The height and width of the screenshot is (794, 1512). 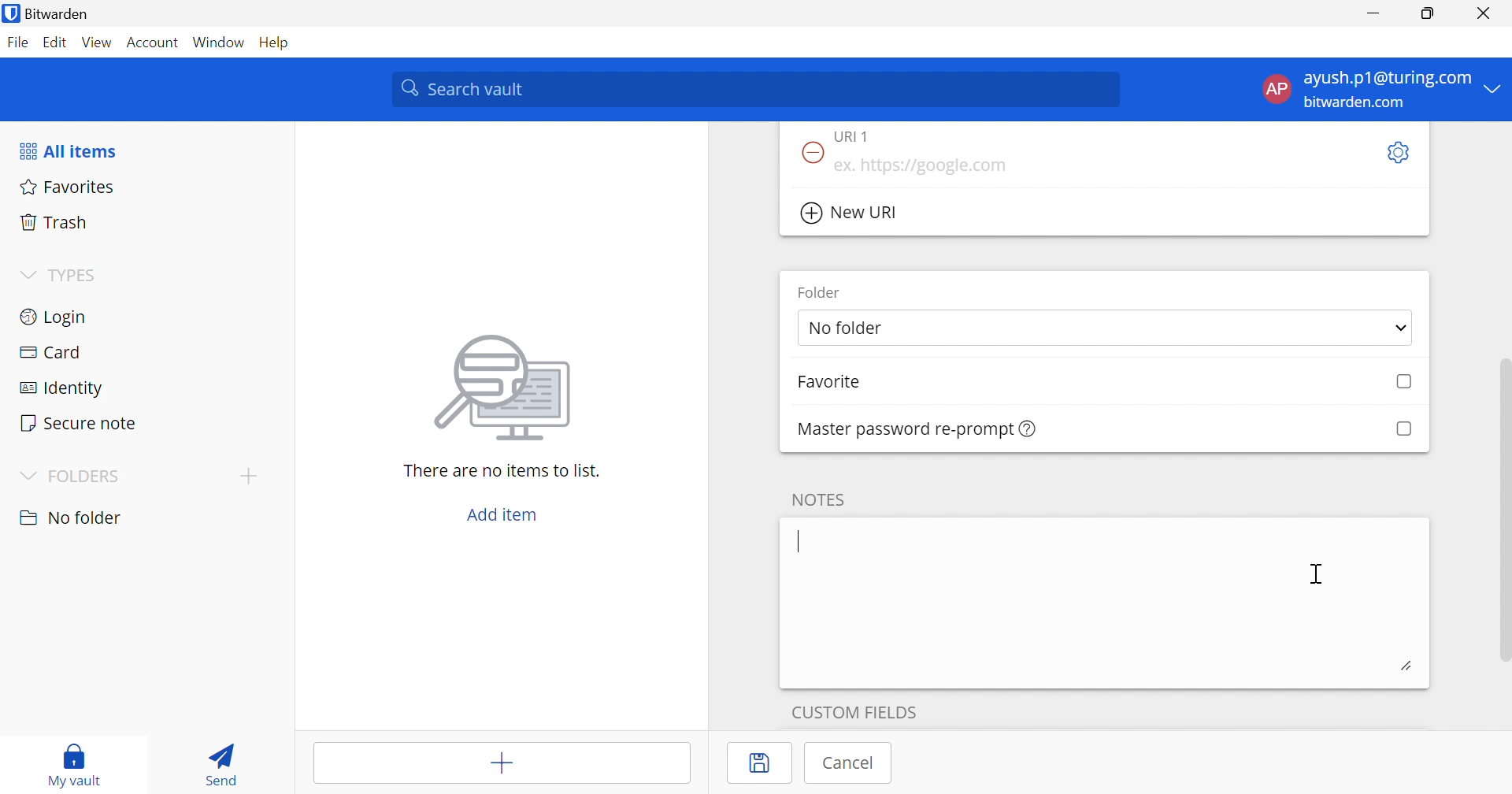 What do you see at coordinates (1105, 602) in the screenshot?
I see `Notes writing area` at bounding box center [1105, 602].